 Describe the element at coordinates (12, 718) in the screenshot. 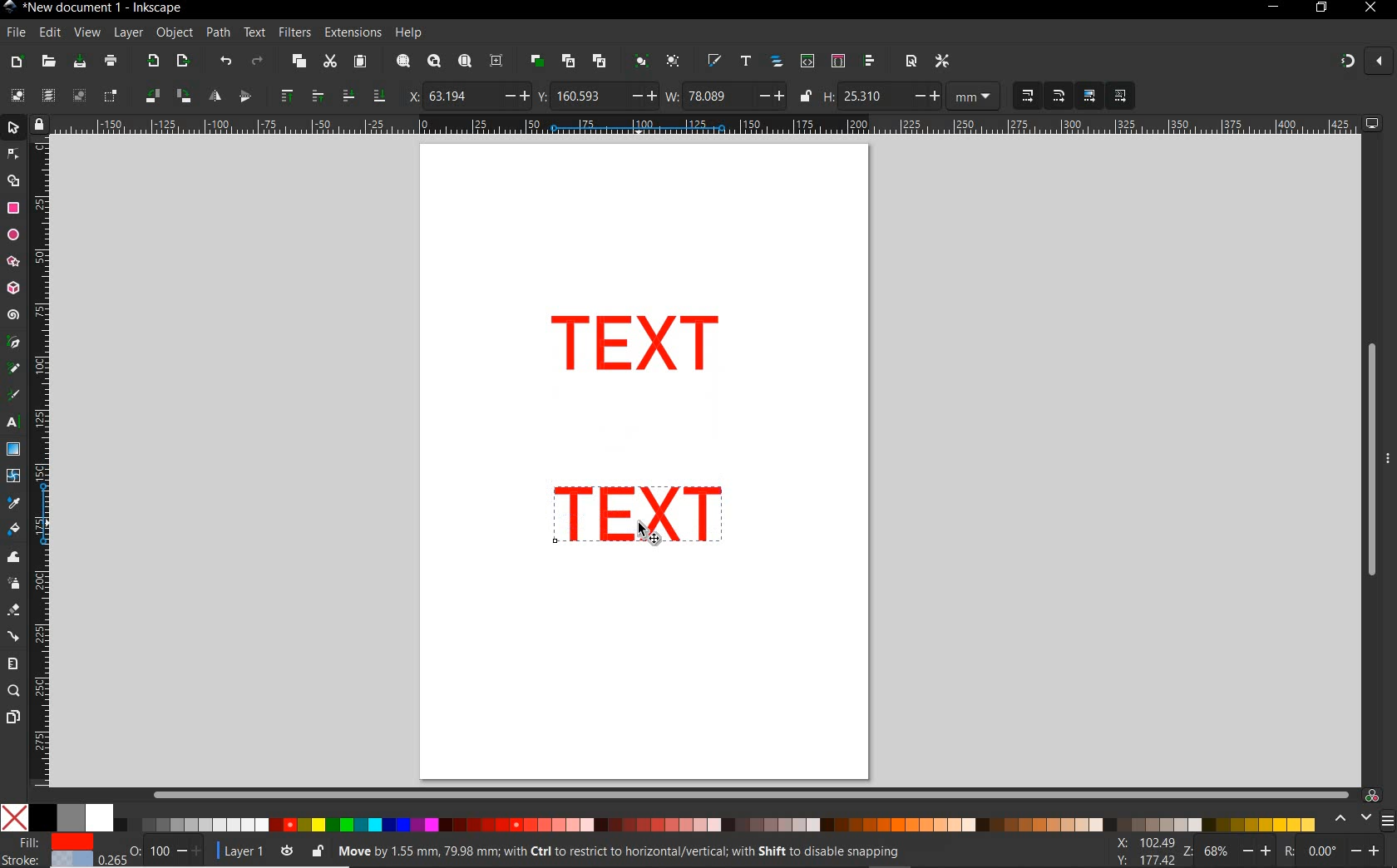

I see `pages tool` at that location.